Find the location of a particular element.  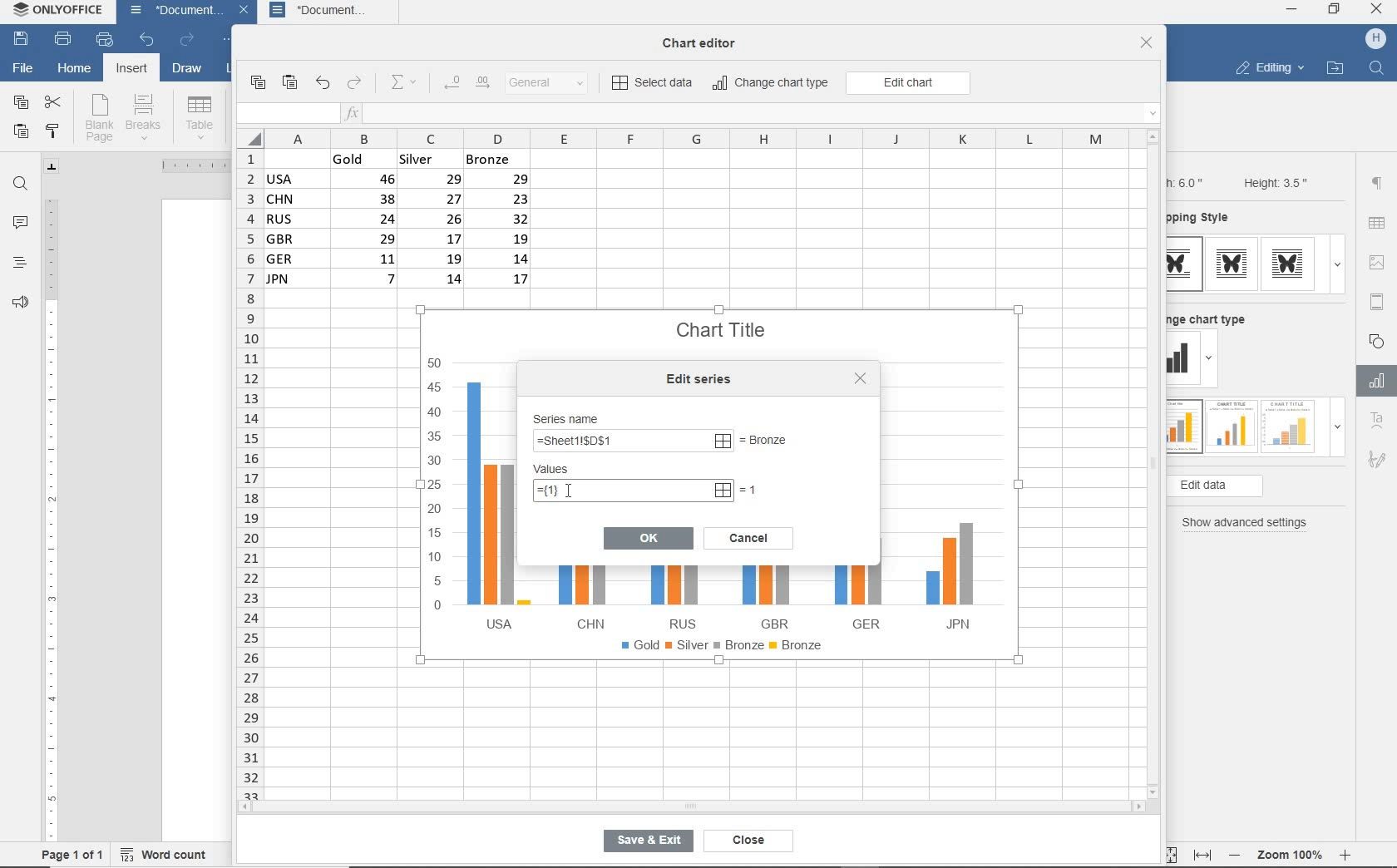

blank page is located at coordinates (99, 118).